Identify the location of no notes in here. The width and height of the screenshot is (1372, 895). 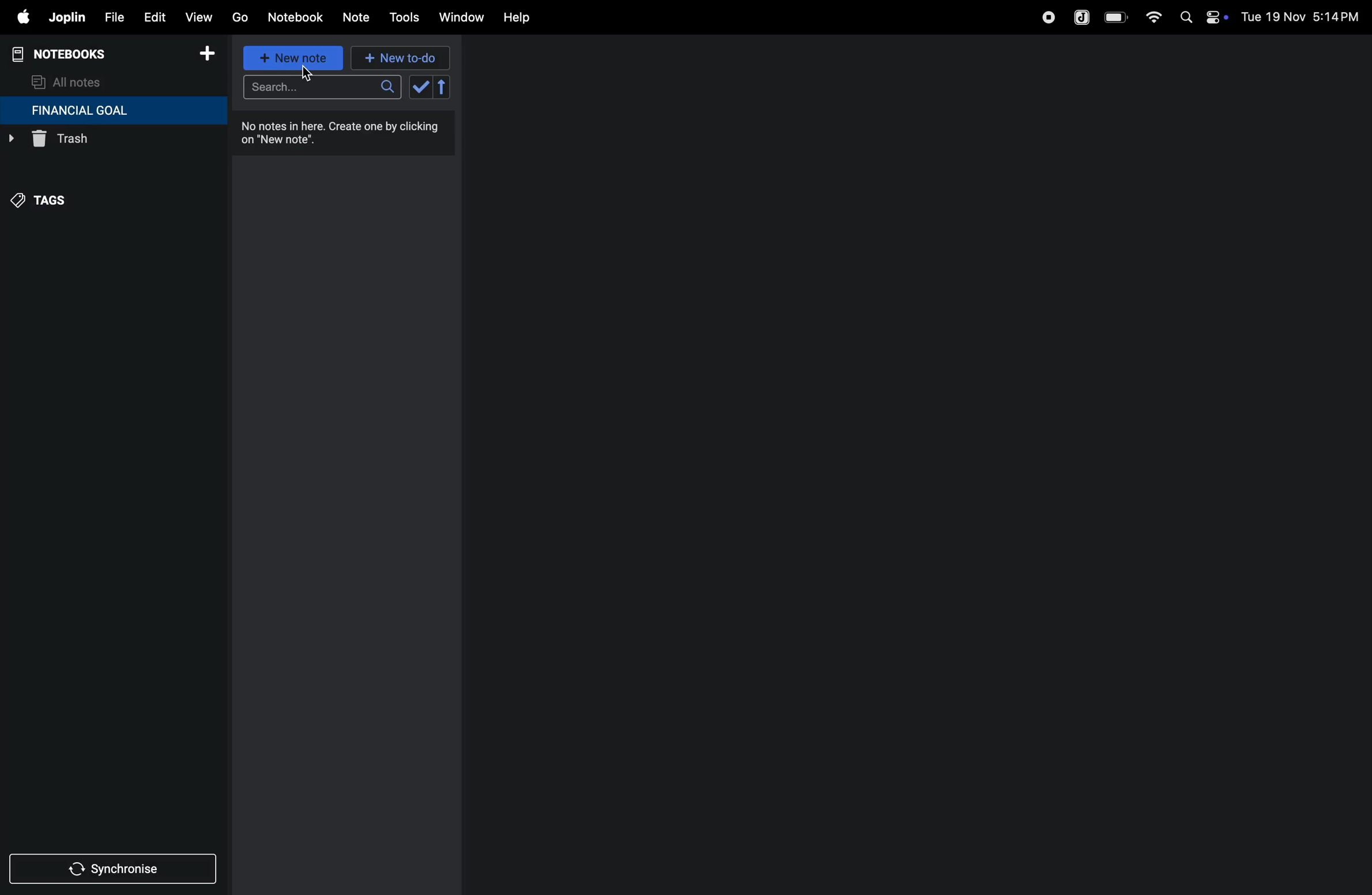
(341, 134).